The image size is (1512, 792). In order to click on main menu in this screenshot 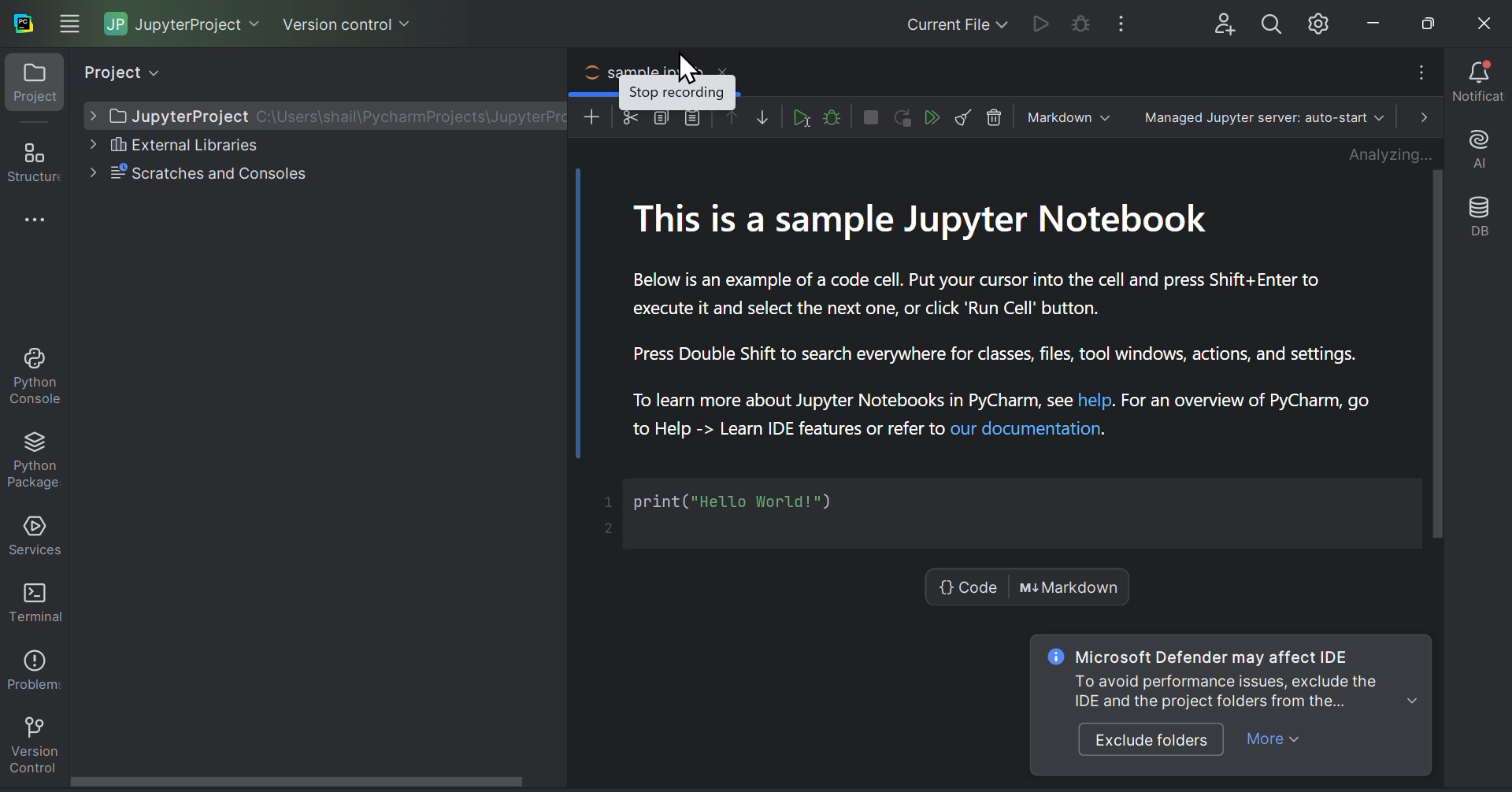, I will do `click(65, 23)`.